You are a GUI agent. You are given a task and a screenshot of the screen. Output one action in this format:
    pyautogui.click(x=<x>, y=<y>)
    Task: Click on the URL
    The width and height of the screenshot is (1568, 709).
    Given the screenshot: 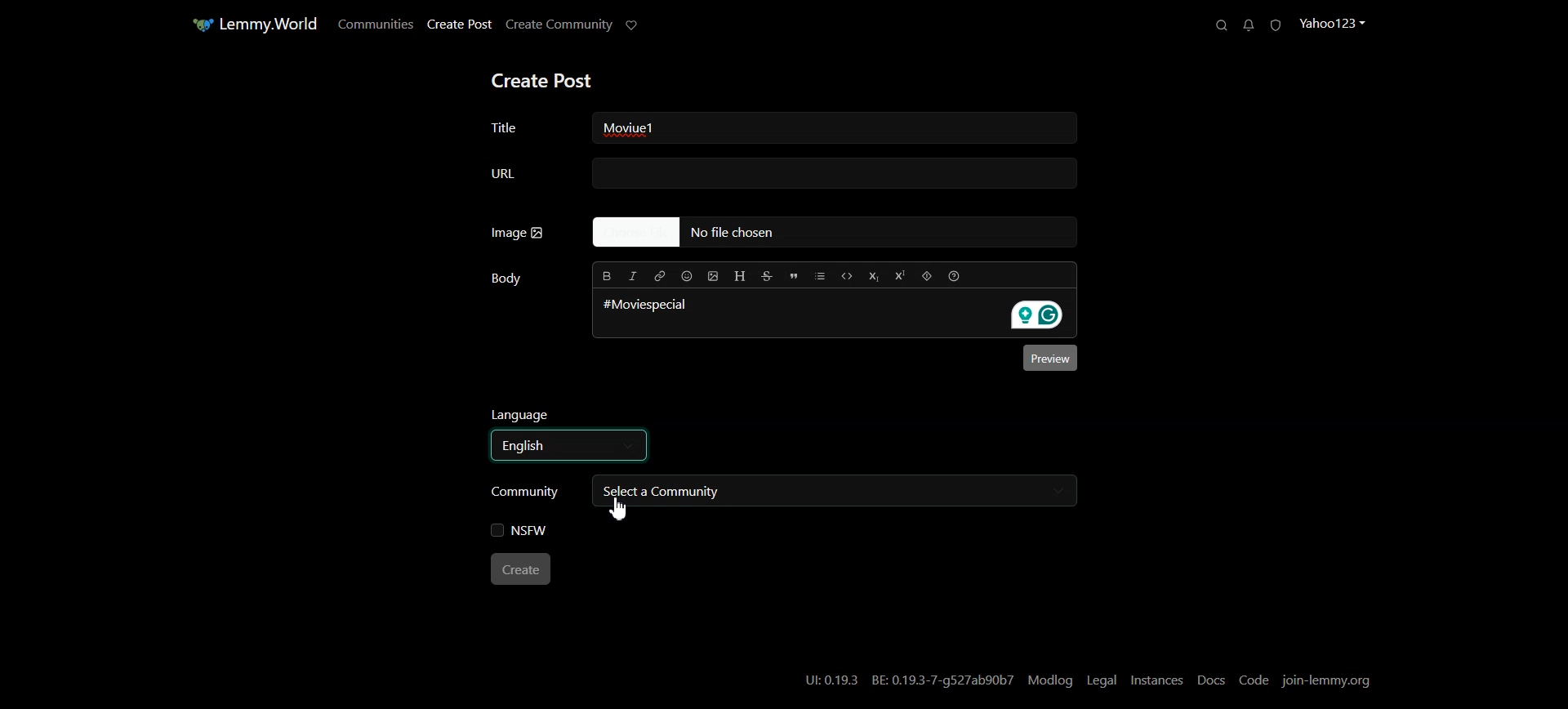 What is the action you would take?
    pyautogui.click(x=780, y=174)
    